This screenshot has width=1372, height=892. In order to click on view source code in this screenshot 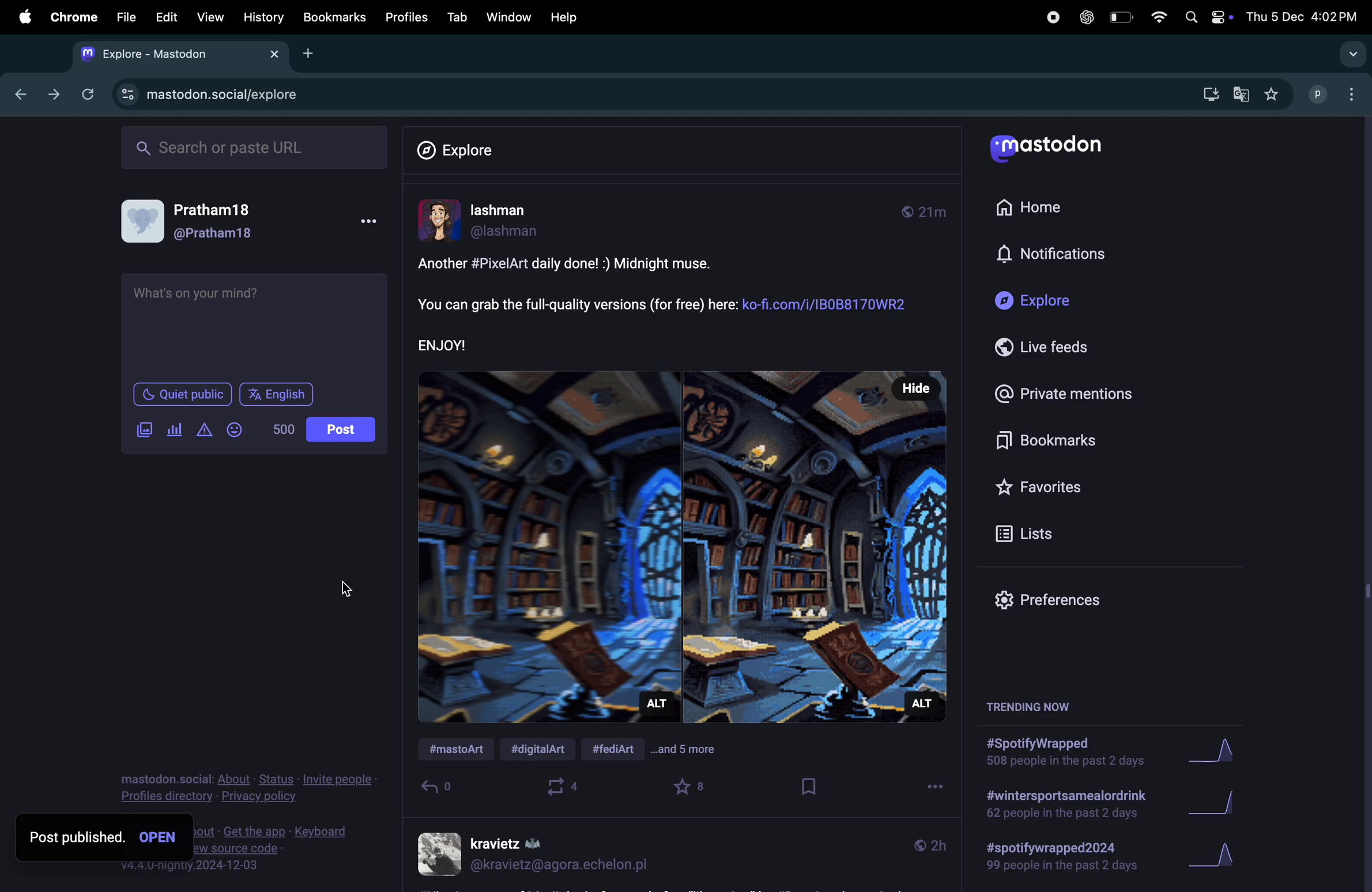, I will do `click(281, 849)`.